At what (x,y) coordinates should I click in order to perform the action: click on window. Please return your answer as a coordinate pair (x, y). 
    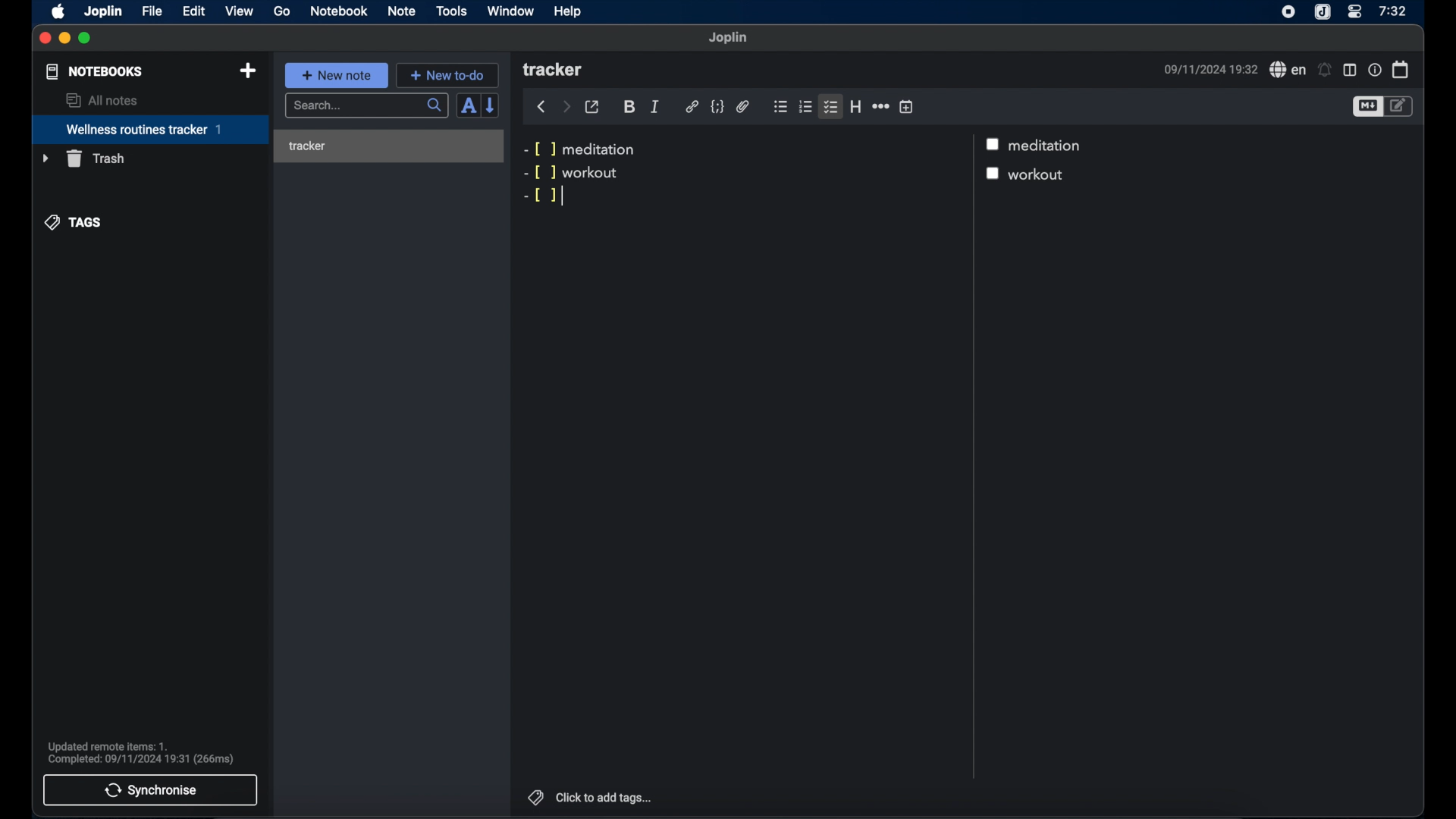
    Looking at the image, I should click on (511, 11).